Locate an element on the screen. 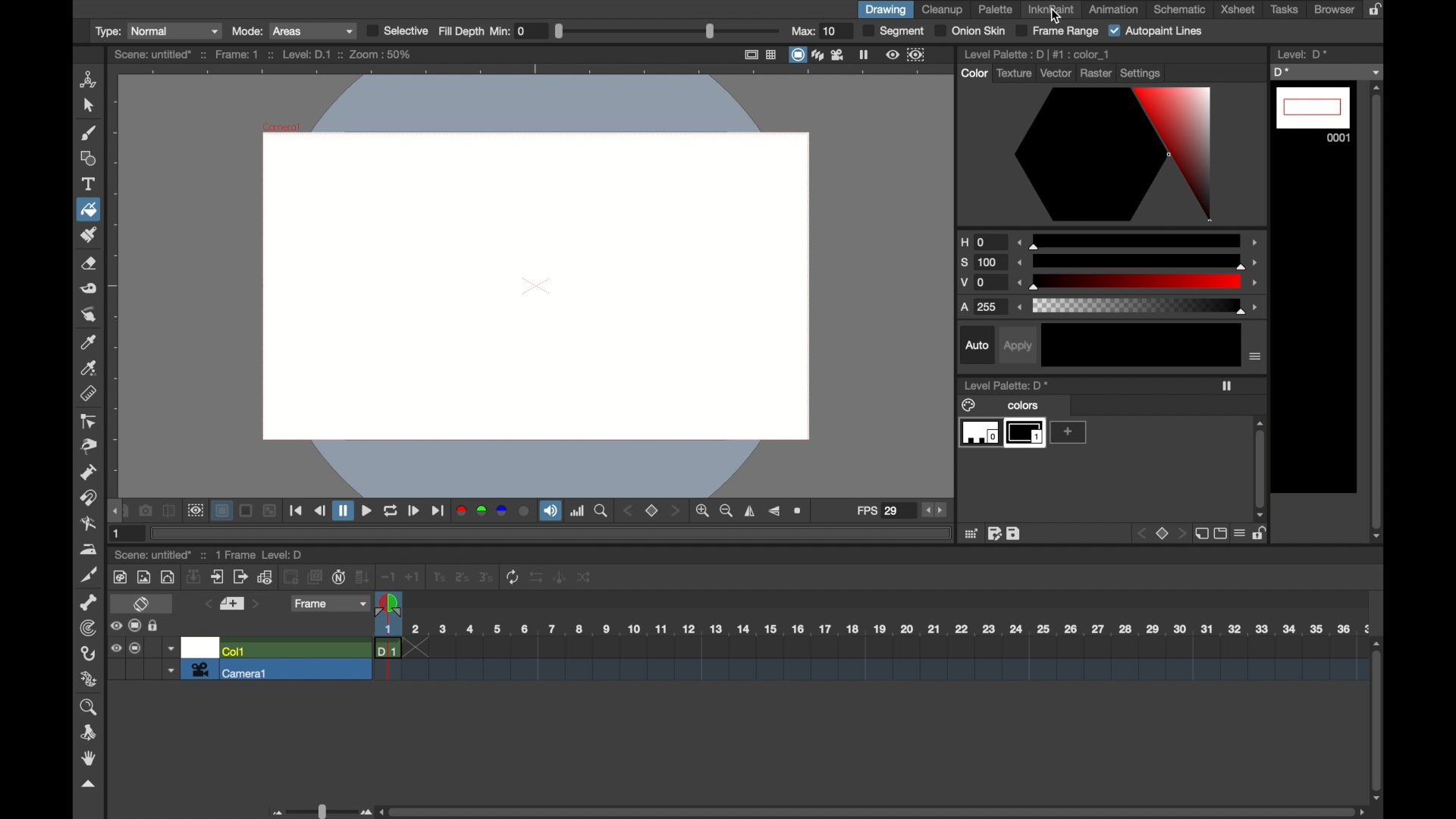  stepper buttons is located at coordinates (934, 511).